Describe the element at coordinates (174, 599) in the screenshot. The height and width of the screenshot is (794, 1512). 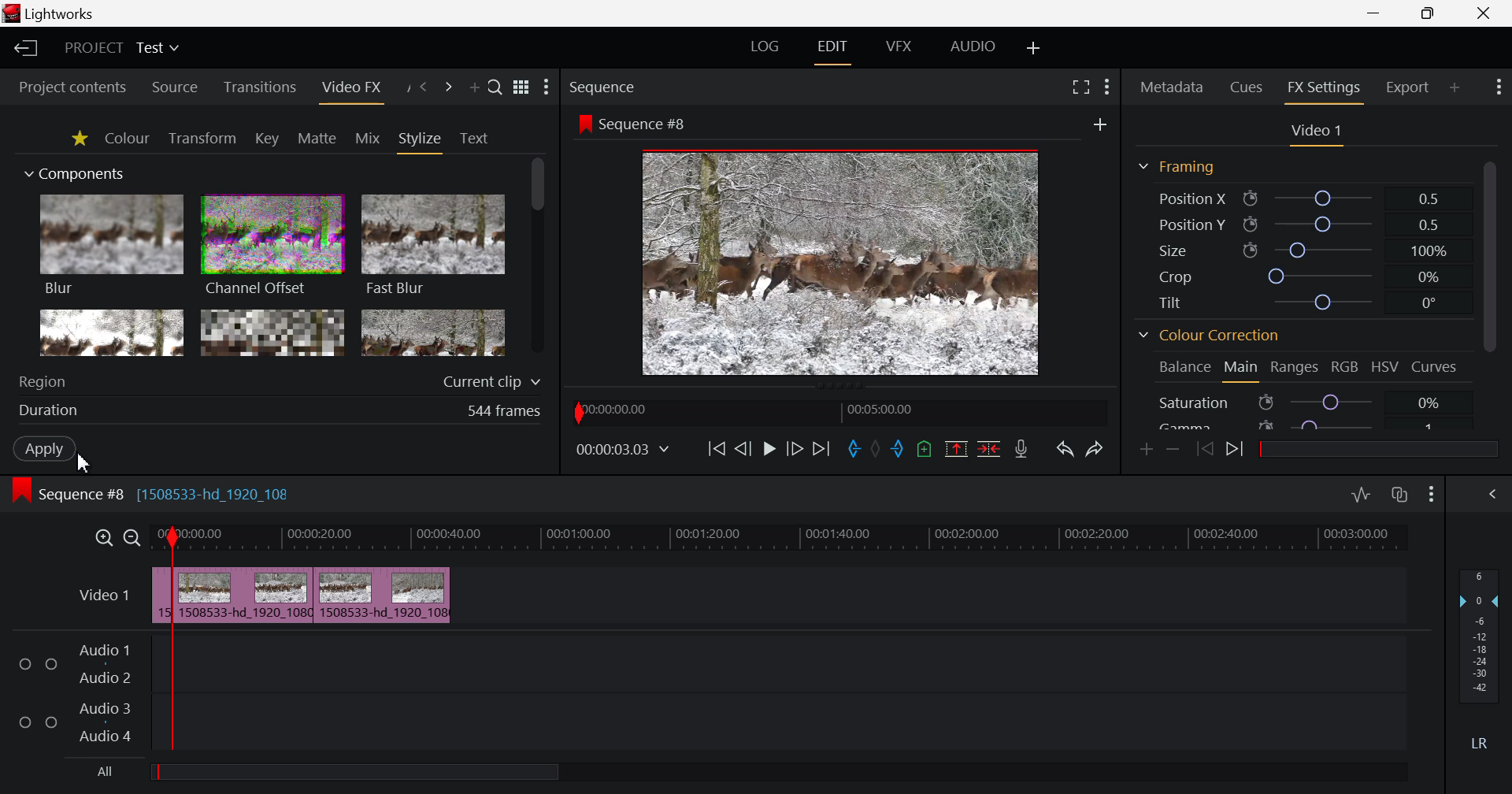
I see `First Clip Cut` at that location.